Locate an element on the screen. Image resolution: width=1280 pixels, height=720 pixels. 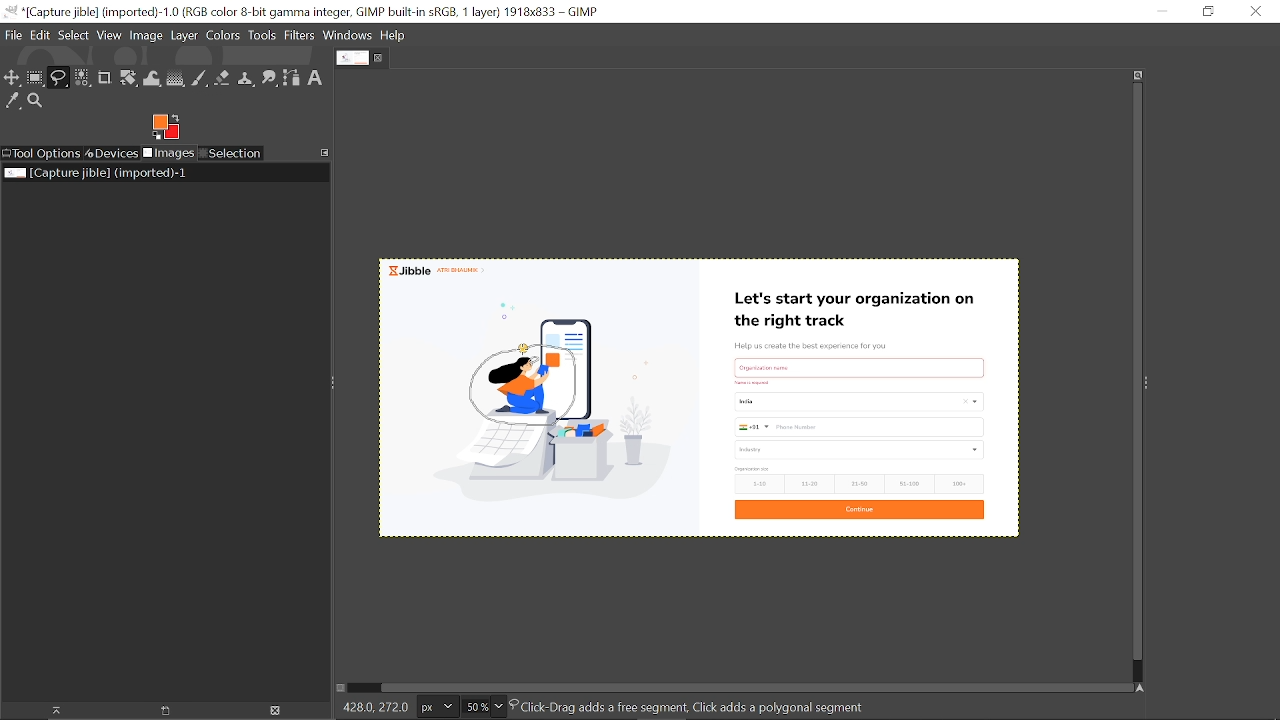
Layer is located at coordinates (184, 37).